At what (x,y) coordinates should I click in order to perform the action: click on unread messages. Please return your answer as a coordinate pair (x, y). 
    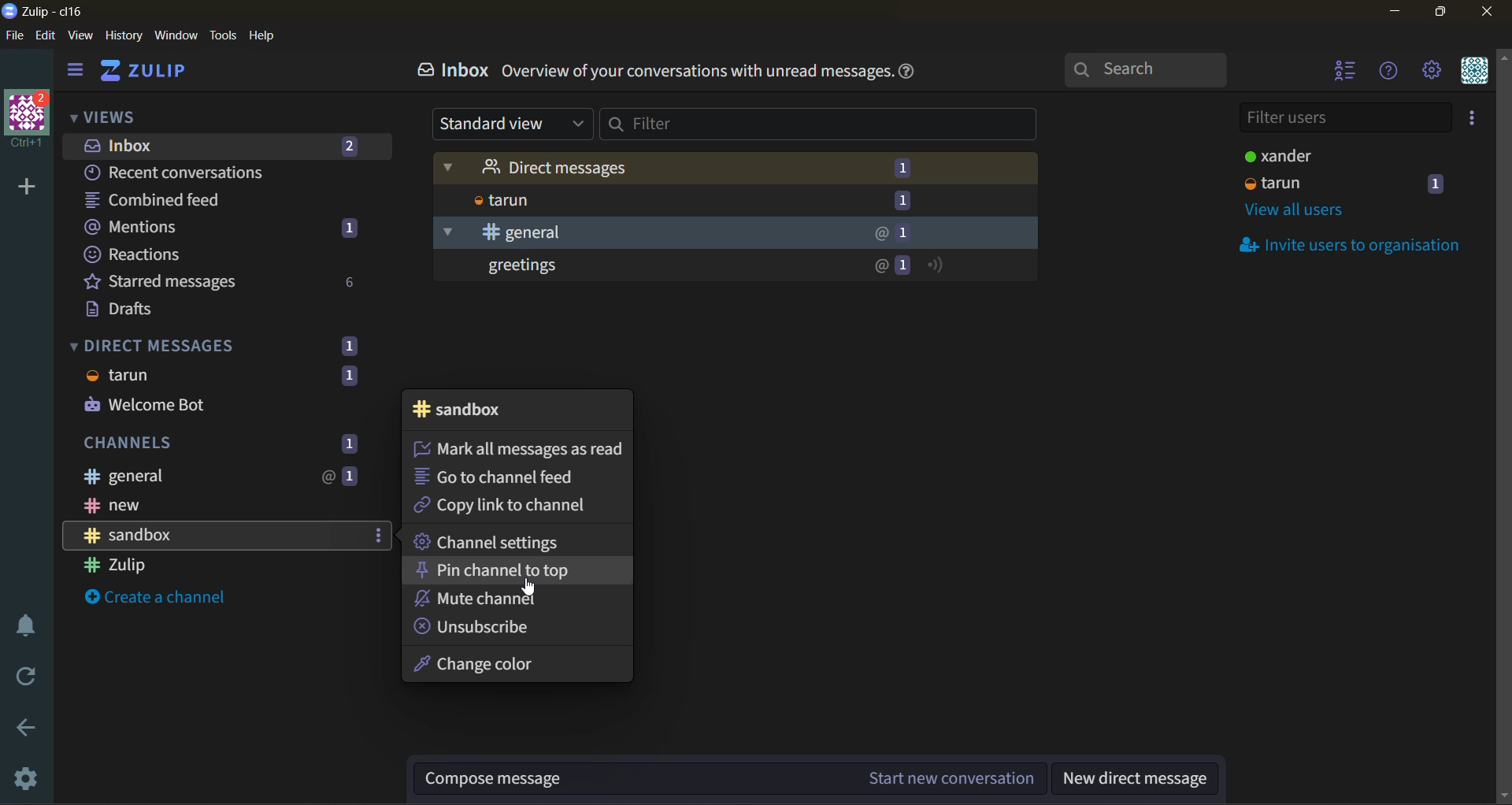
    Looking at the image, I should click on (737, 268).